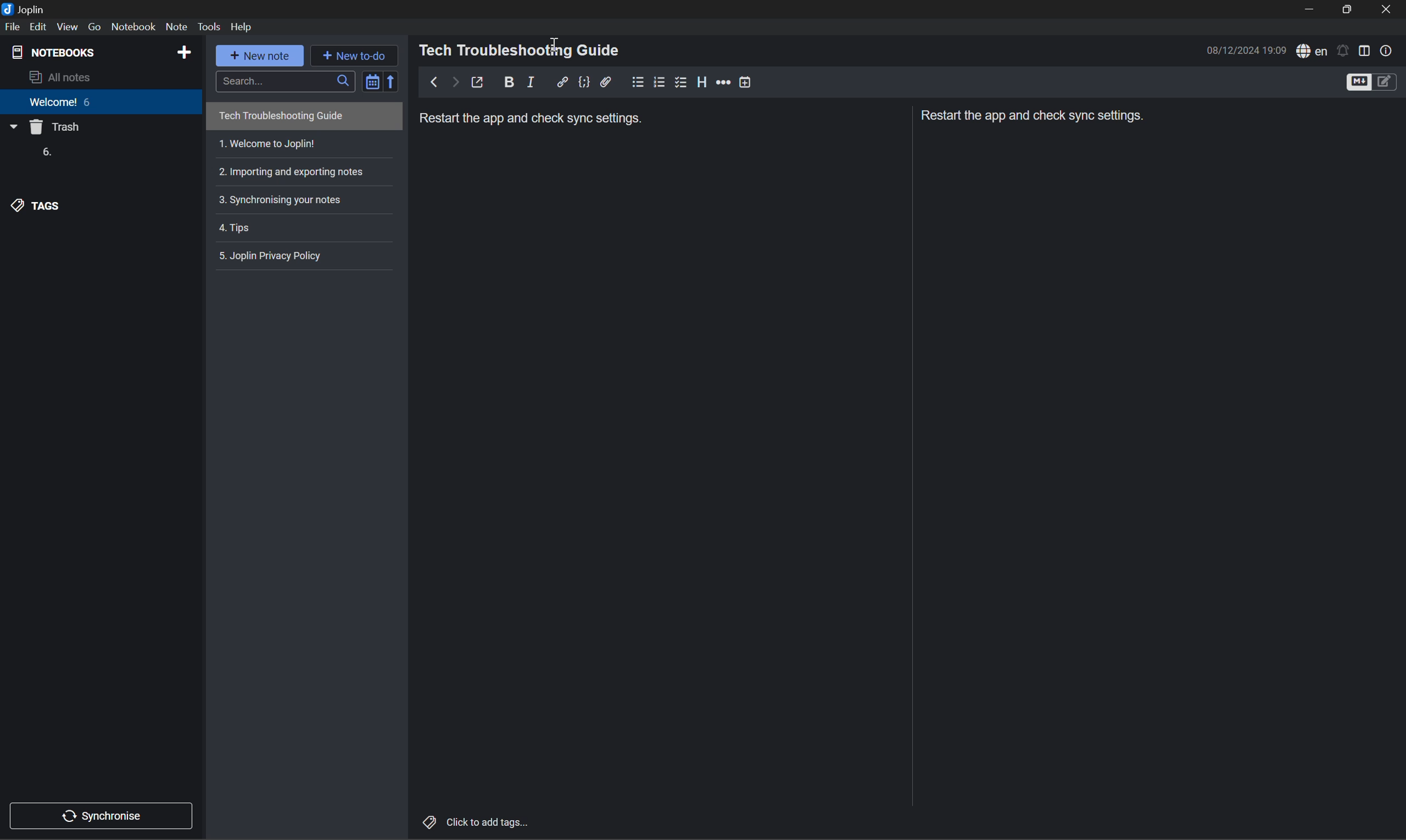  I want to click on Drop Down, so click(12, 128).